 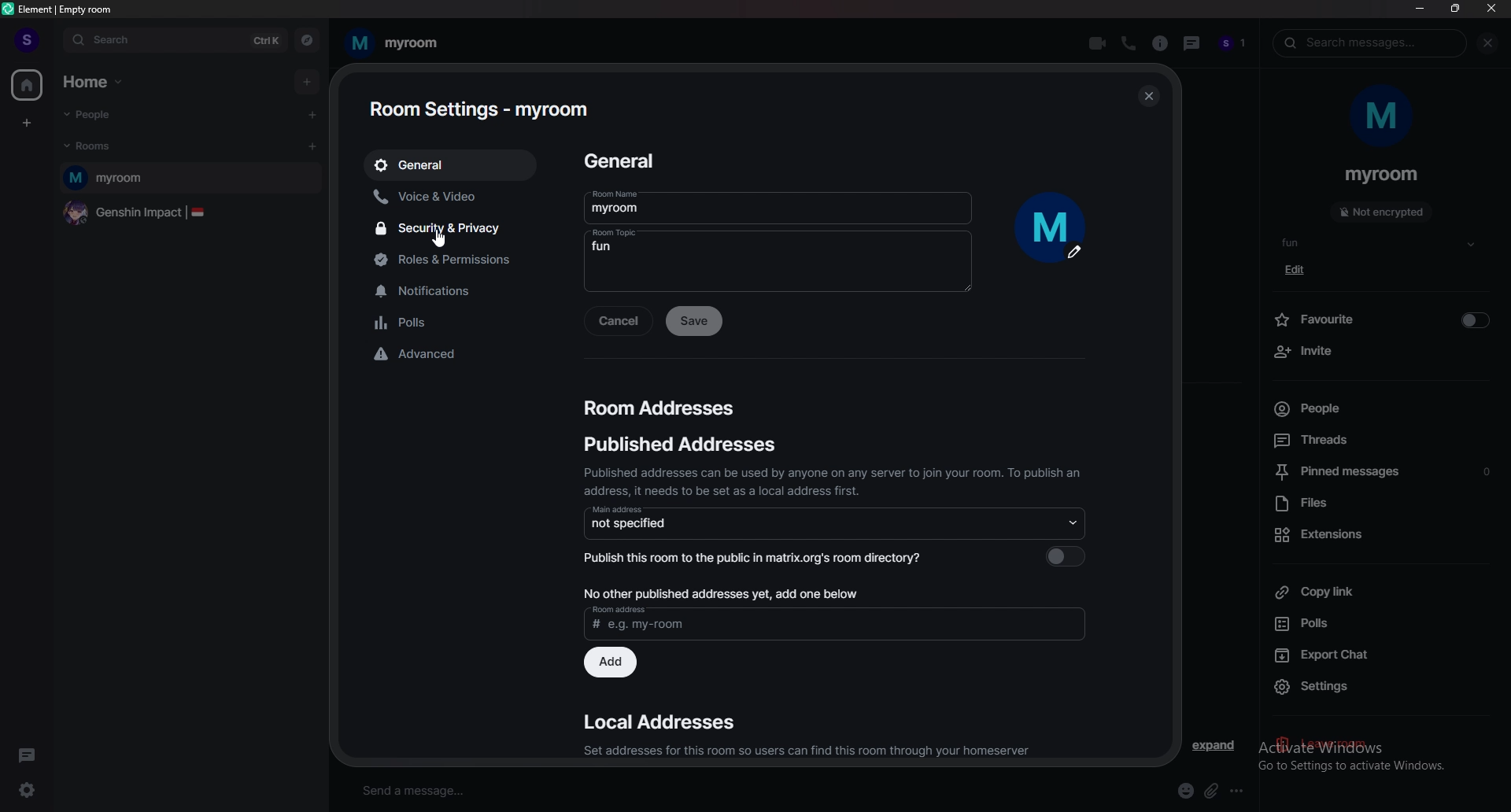 What do you see at coordinates (695, 322) in the screenshot?
I see `save` at bounding box center [695, 322].